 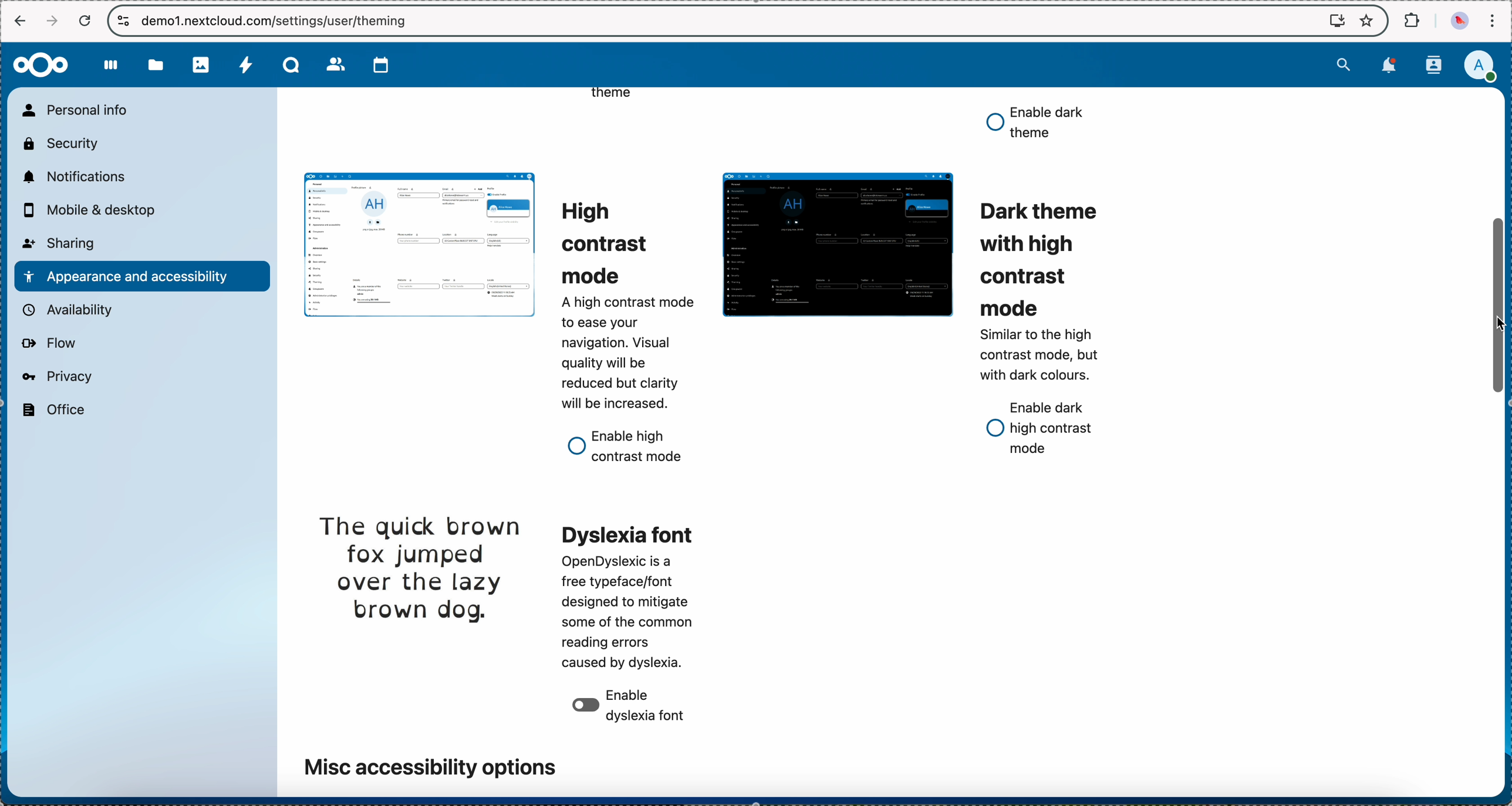 What do you see at coordinates (70, 309) in the screenshot?
I see `availability` at bounding box center [70, 309].